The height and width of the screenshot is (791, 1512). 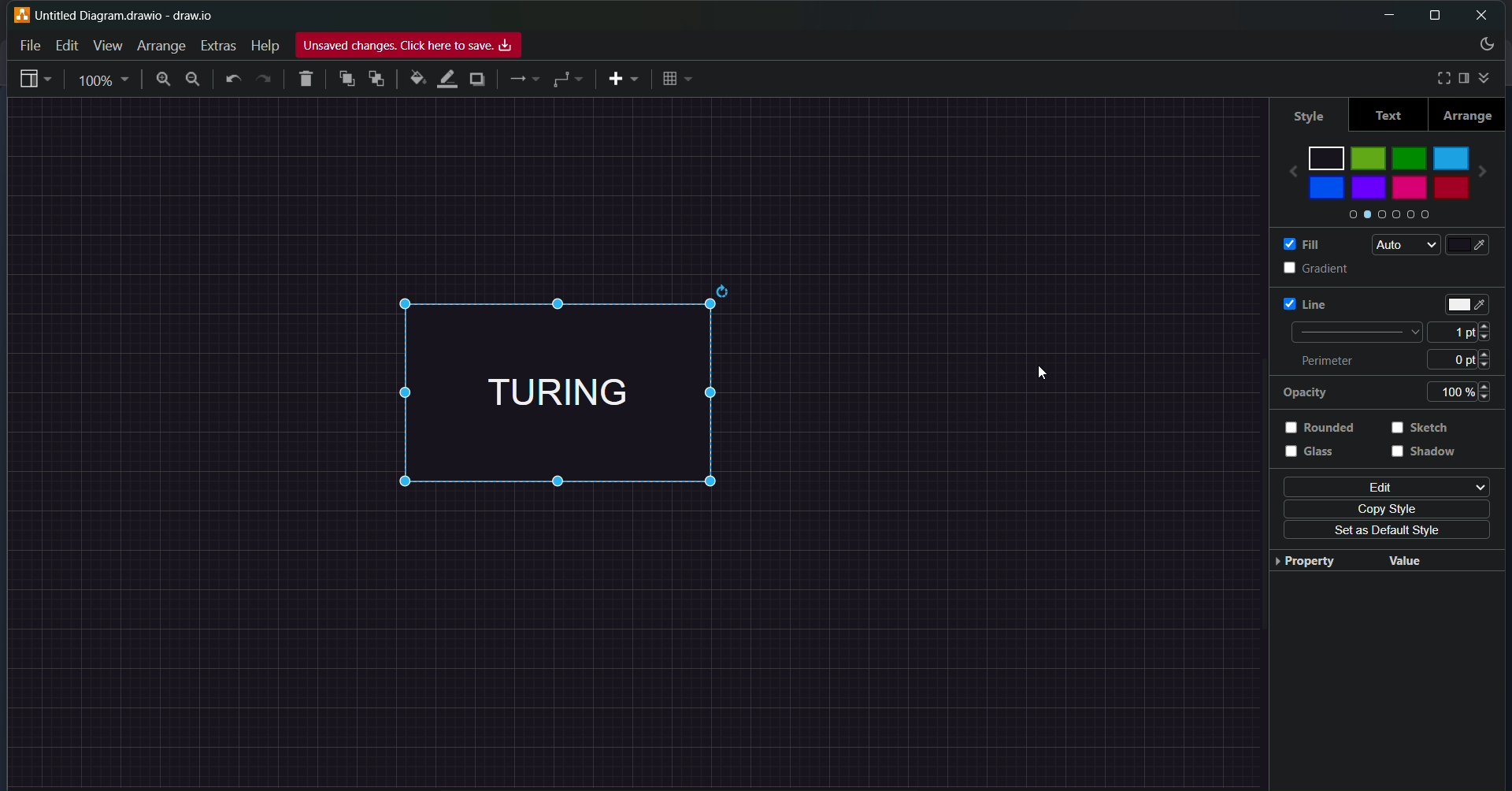 I want to click on add, so click(x=622, y=79).